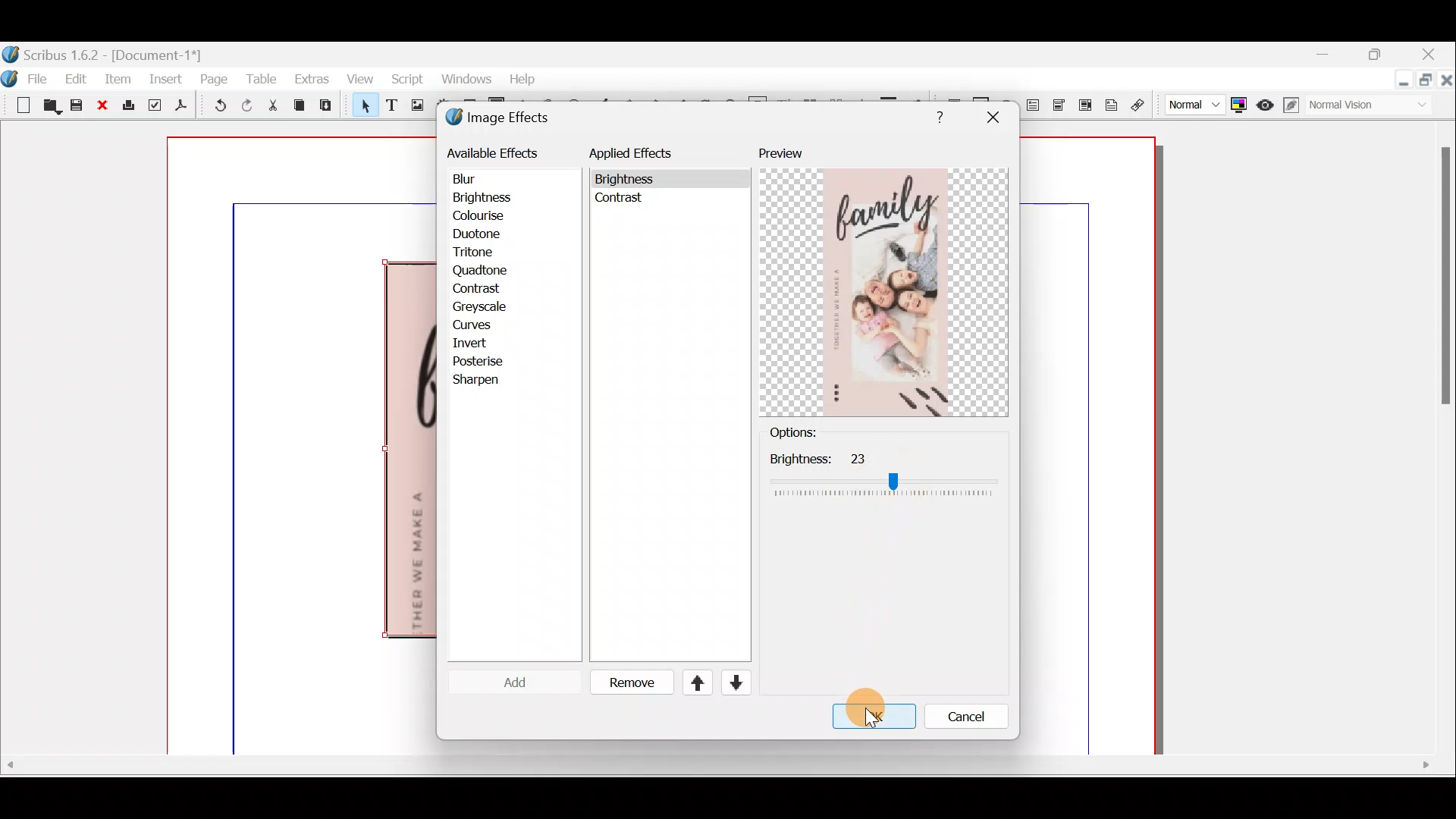 The image size is (1456, 819). What do you see at coordinates (883, 281) in the screenshot?
I see `Preview` at bounding box center [883, 281].